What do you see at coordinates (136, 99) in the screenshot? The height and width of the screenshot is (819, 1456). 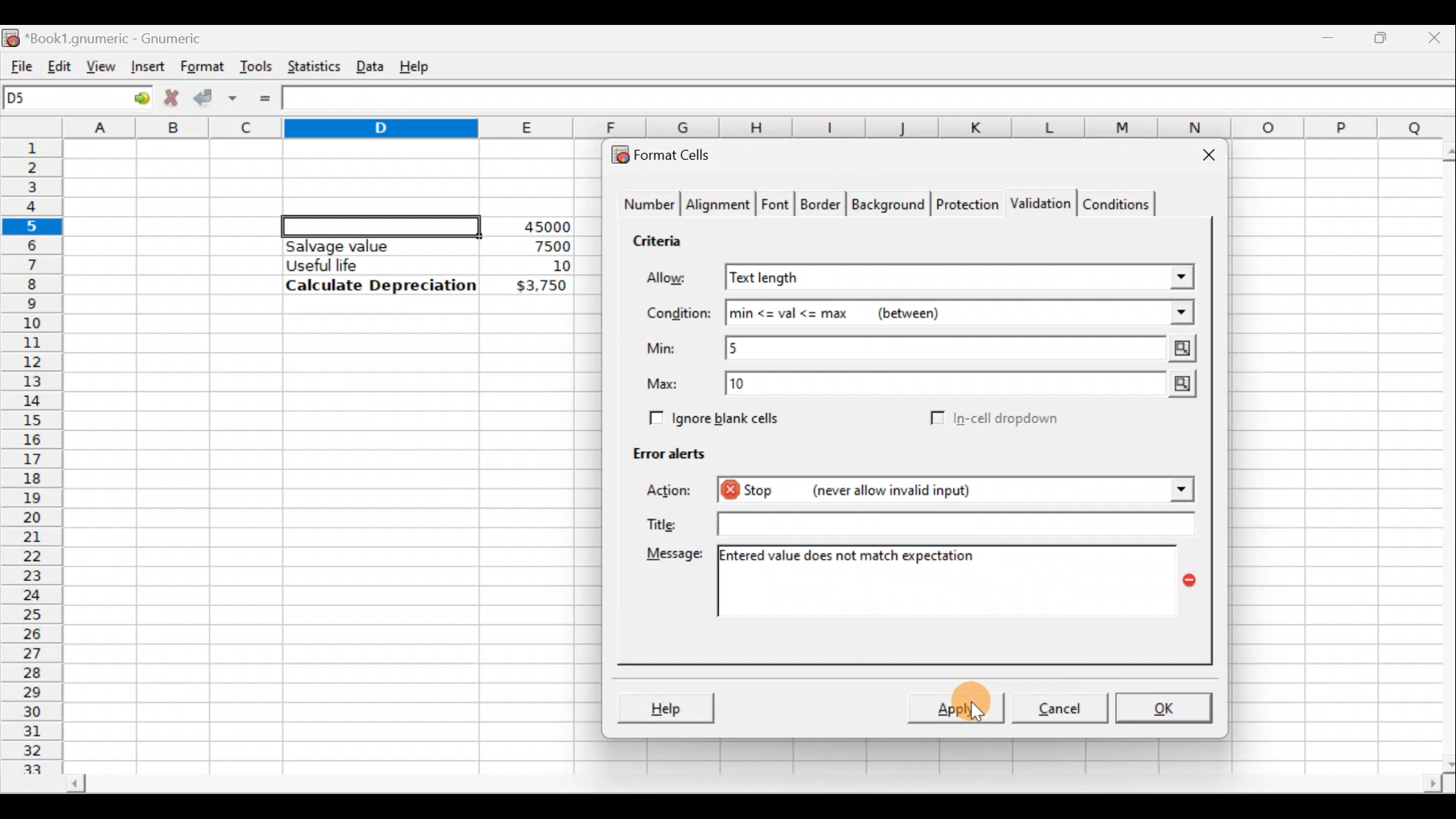 I see `Go to` at bounding box center [136, 99].